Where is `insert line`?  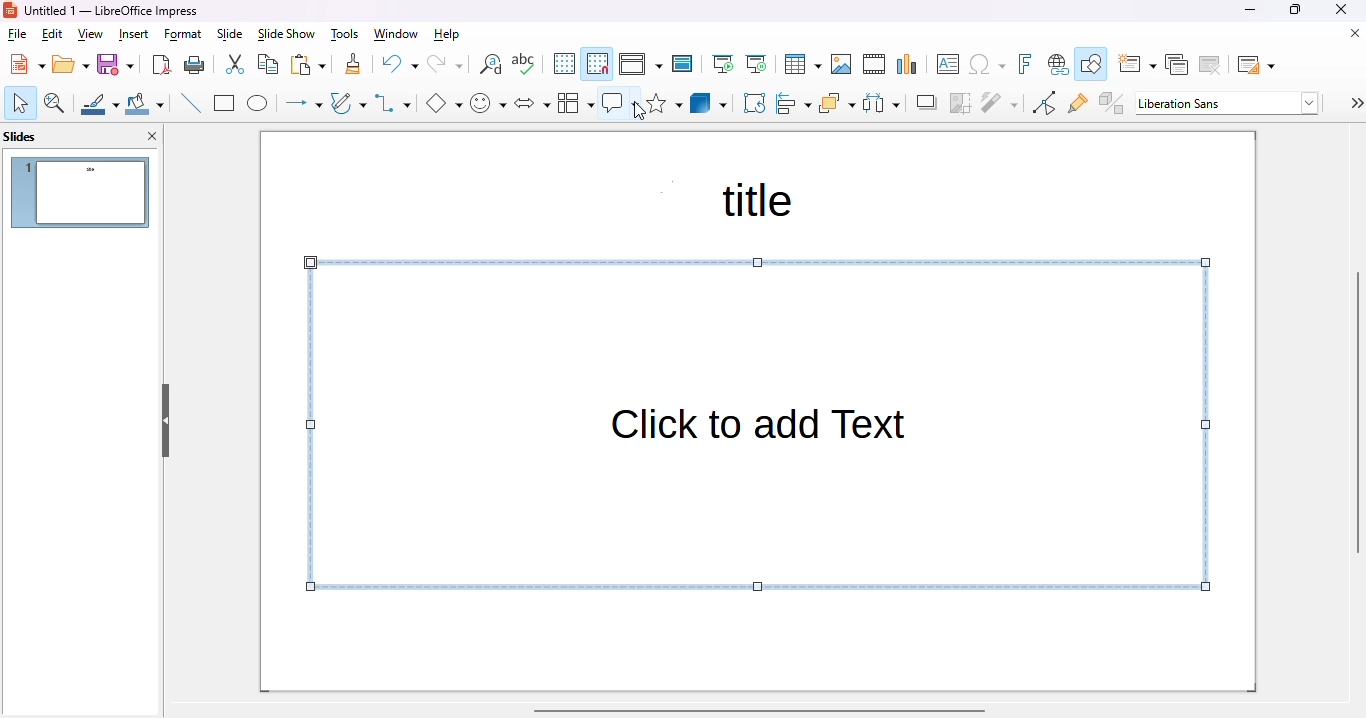 insert line is located at coordinates (190, 102).